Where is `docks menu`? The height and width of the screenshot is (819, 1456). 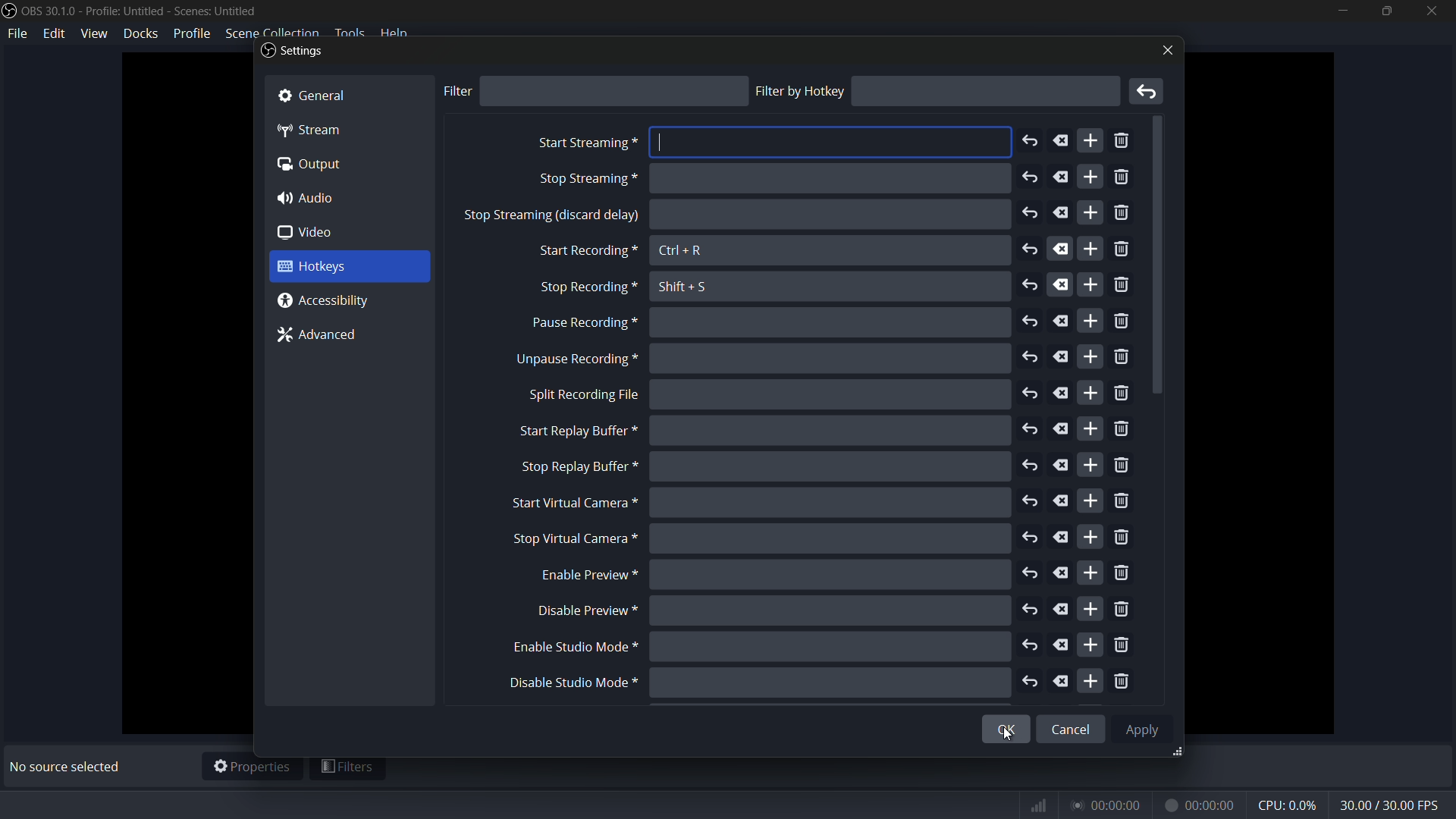
docks menu is located at coordinates (142, 33).